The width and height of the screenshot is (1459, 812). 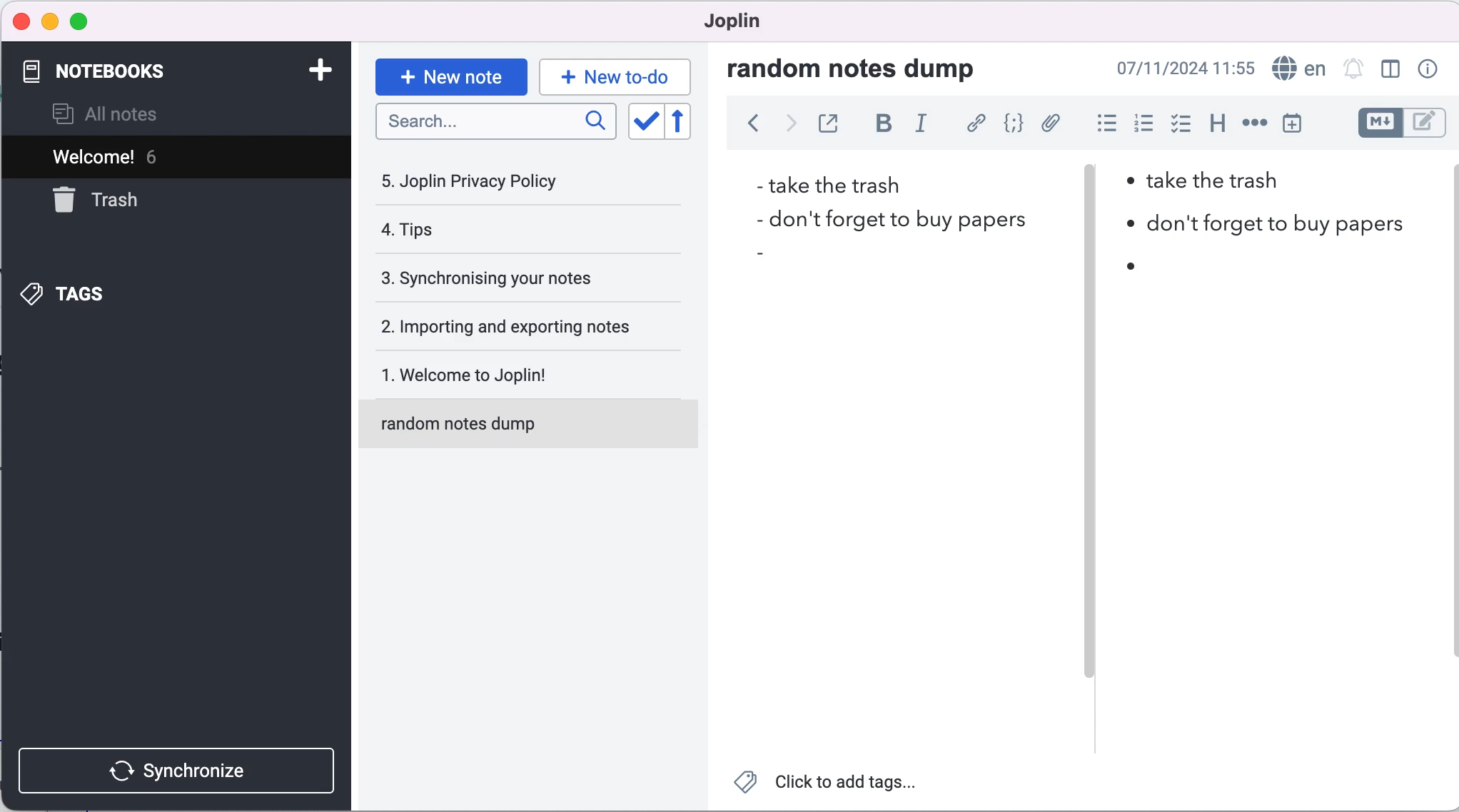 What do you see at coordinates (20, 21) in the screenshot?
I see `close` at bounding box center [20, 21].